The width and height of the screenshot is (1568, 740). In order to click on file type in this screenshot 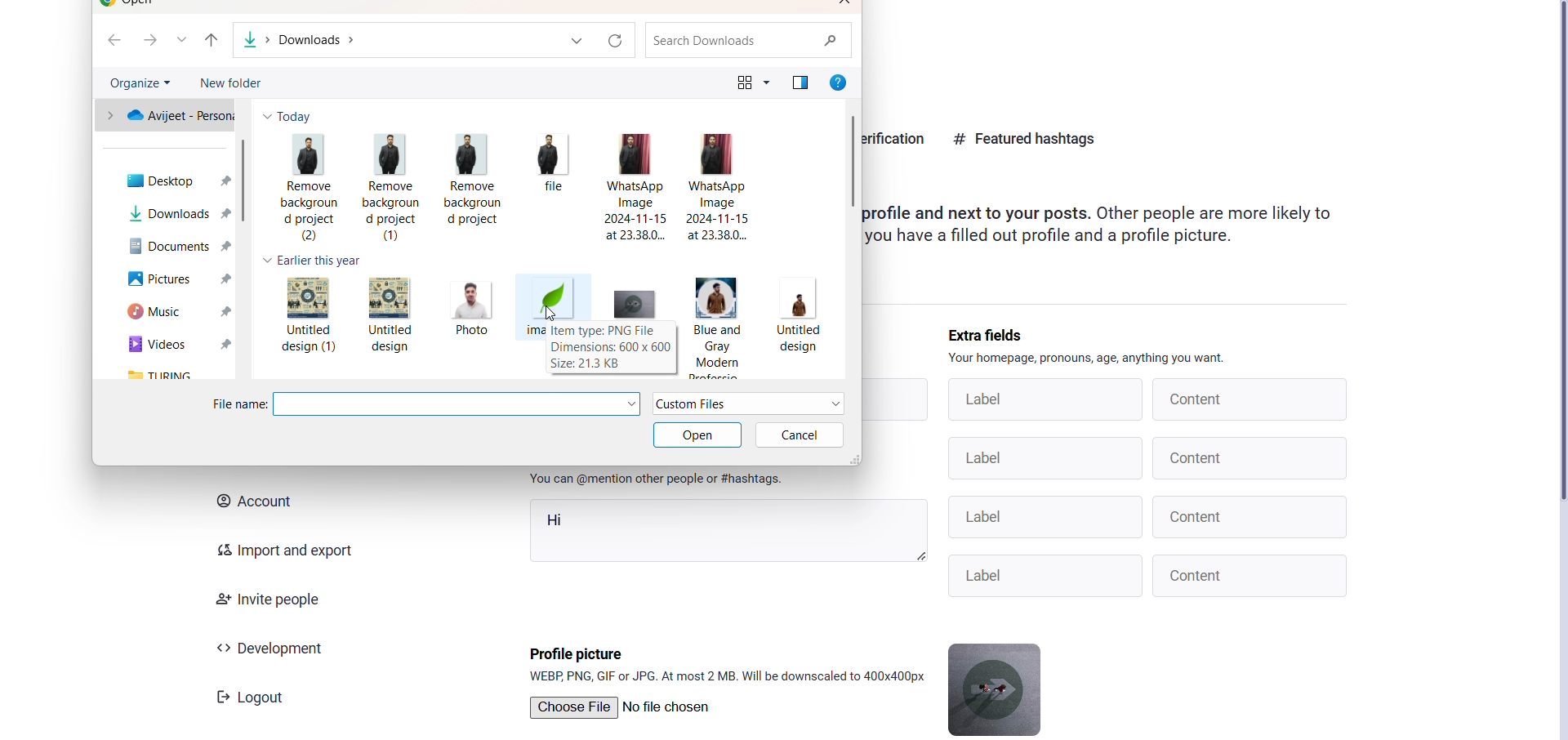, I will do `click(750, 404)`.